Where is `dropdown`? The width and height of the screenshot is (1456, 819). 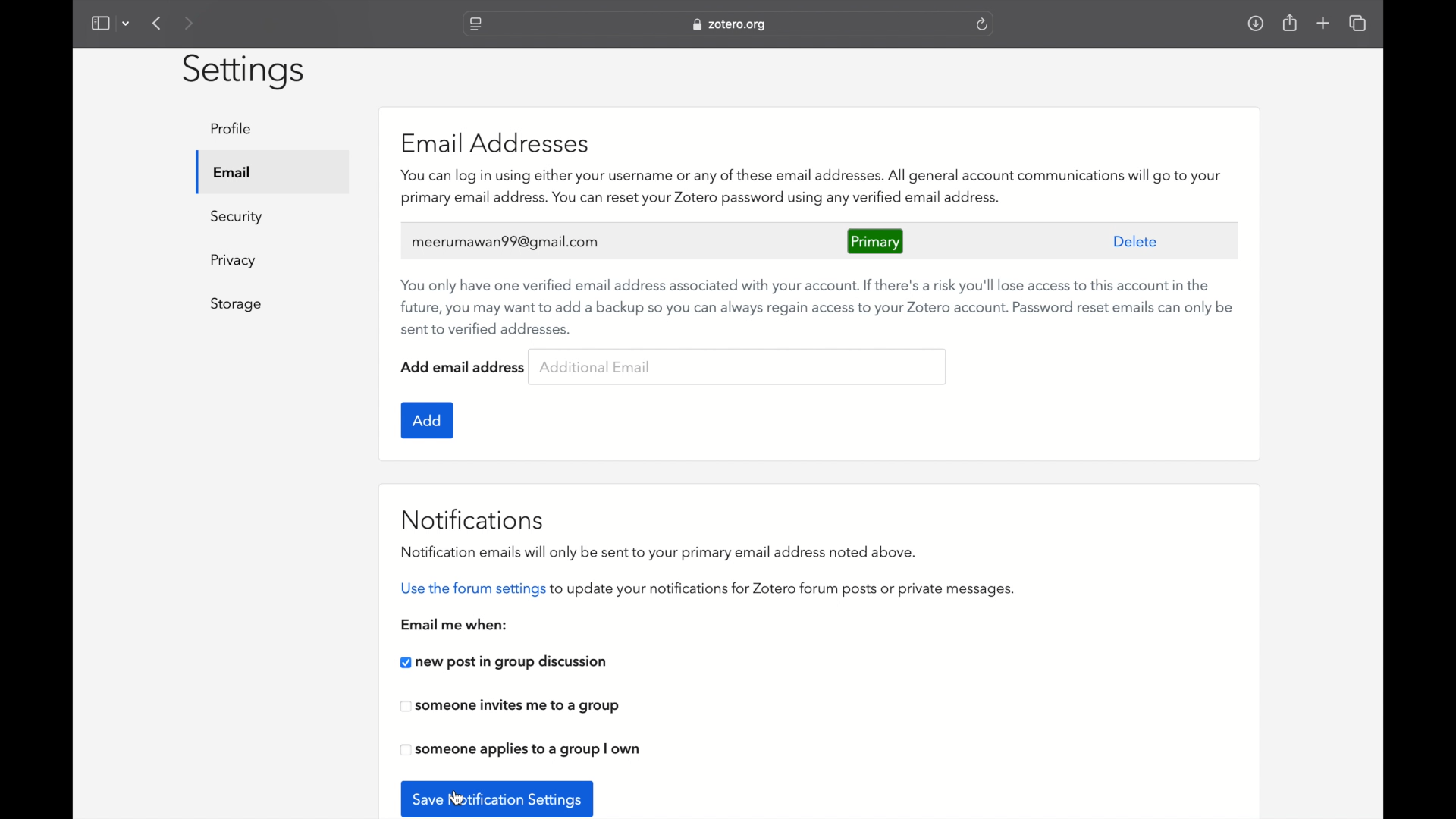 dropdown is located at coordinates (127, 24).